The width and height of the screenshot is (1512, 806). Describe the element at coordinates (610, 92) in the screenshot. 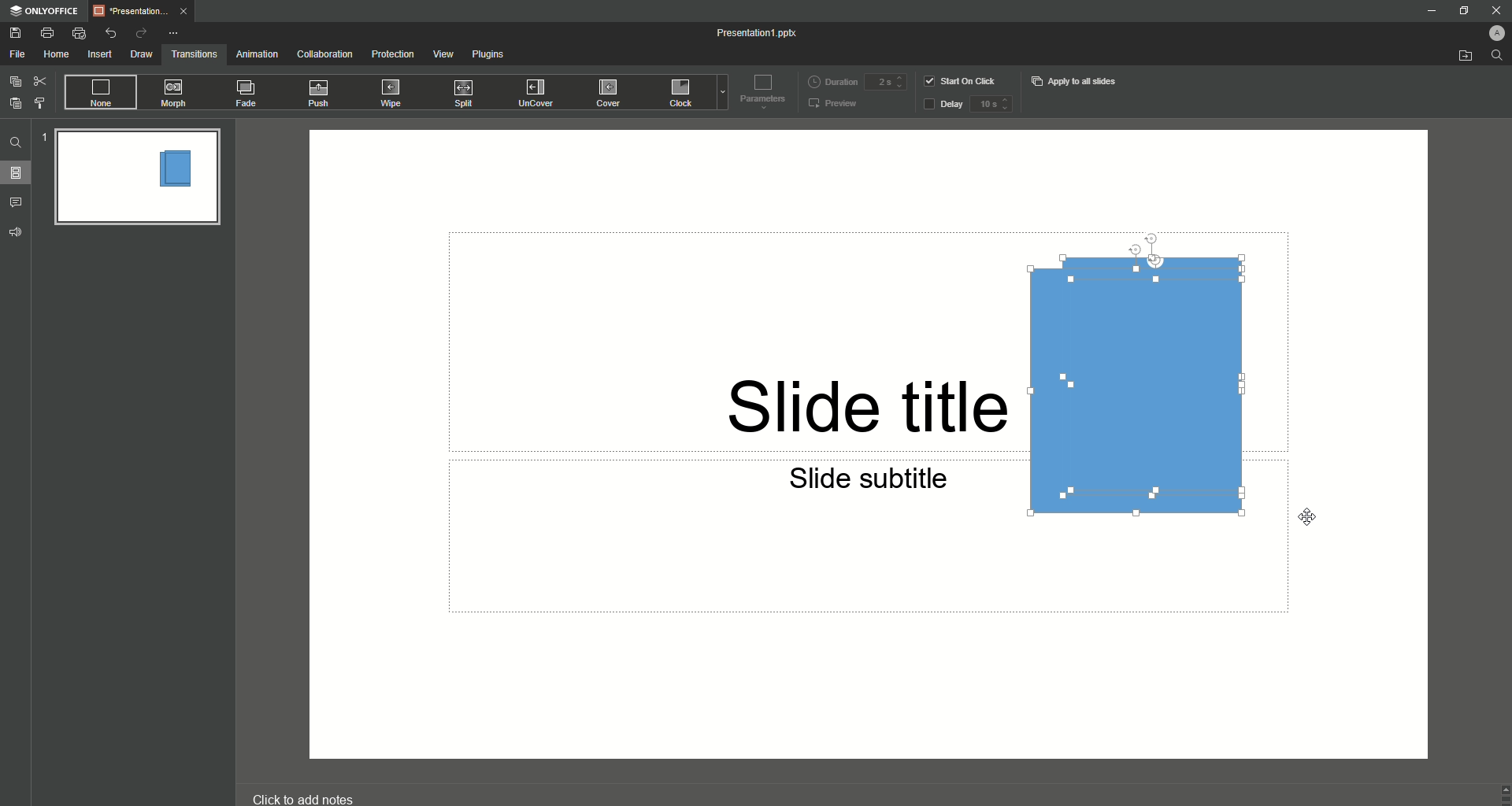

I see `Cover` at that location.